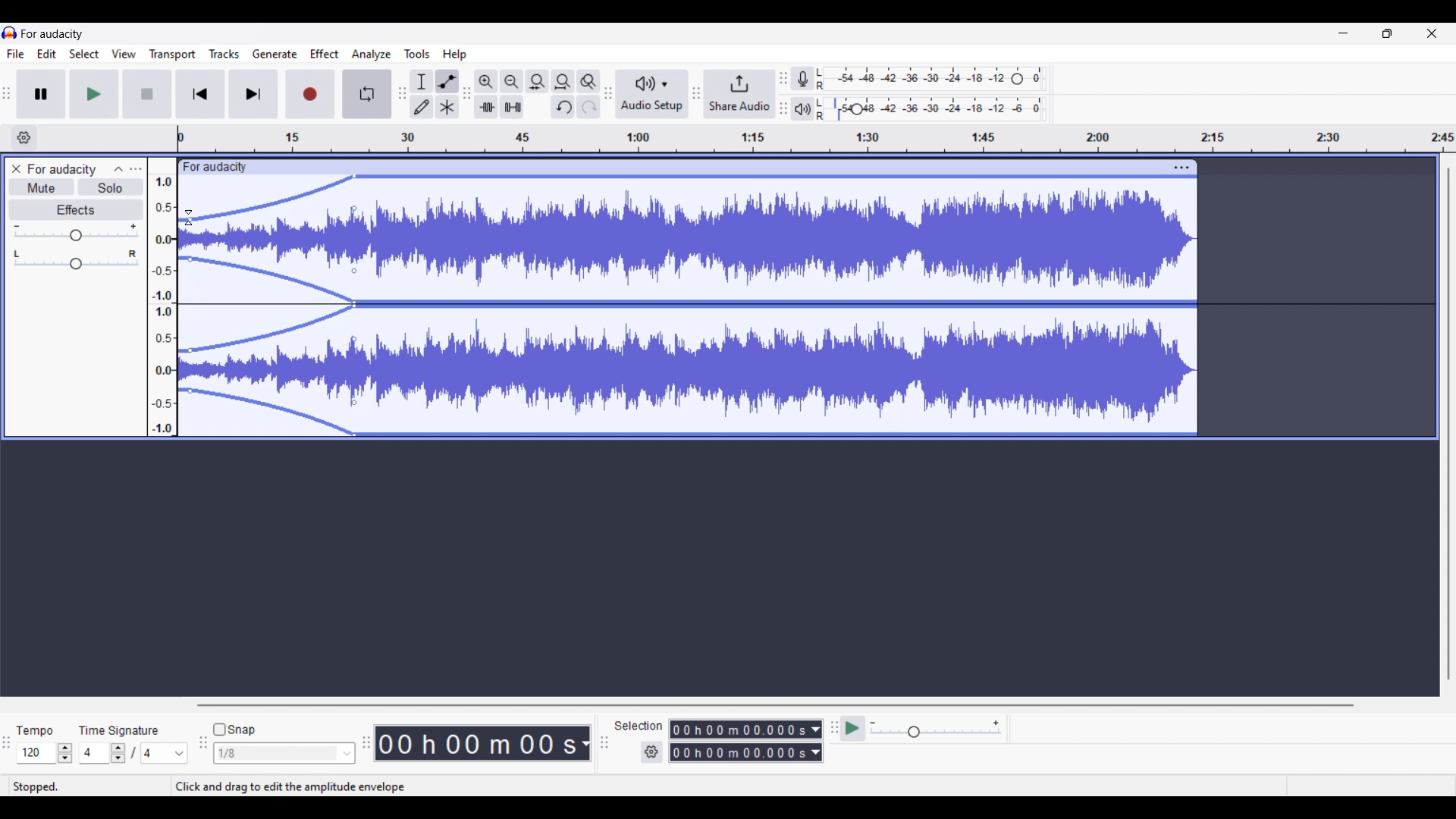 This screenshot has height=819, width=1456. Describe the element at coordinates (538, 81) in the screenshot. I see `Fit selection to width` at that location.